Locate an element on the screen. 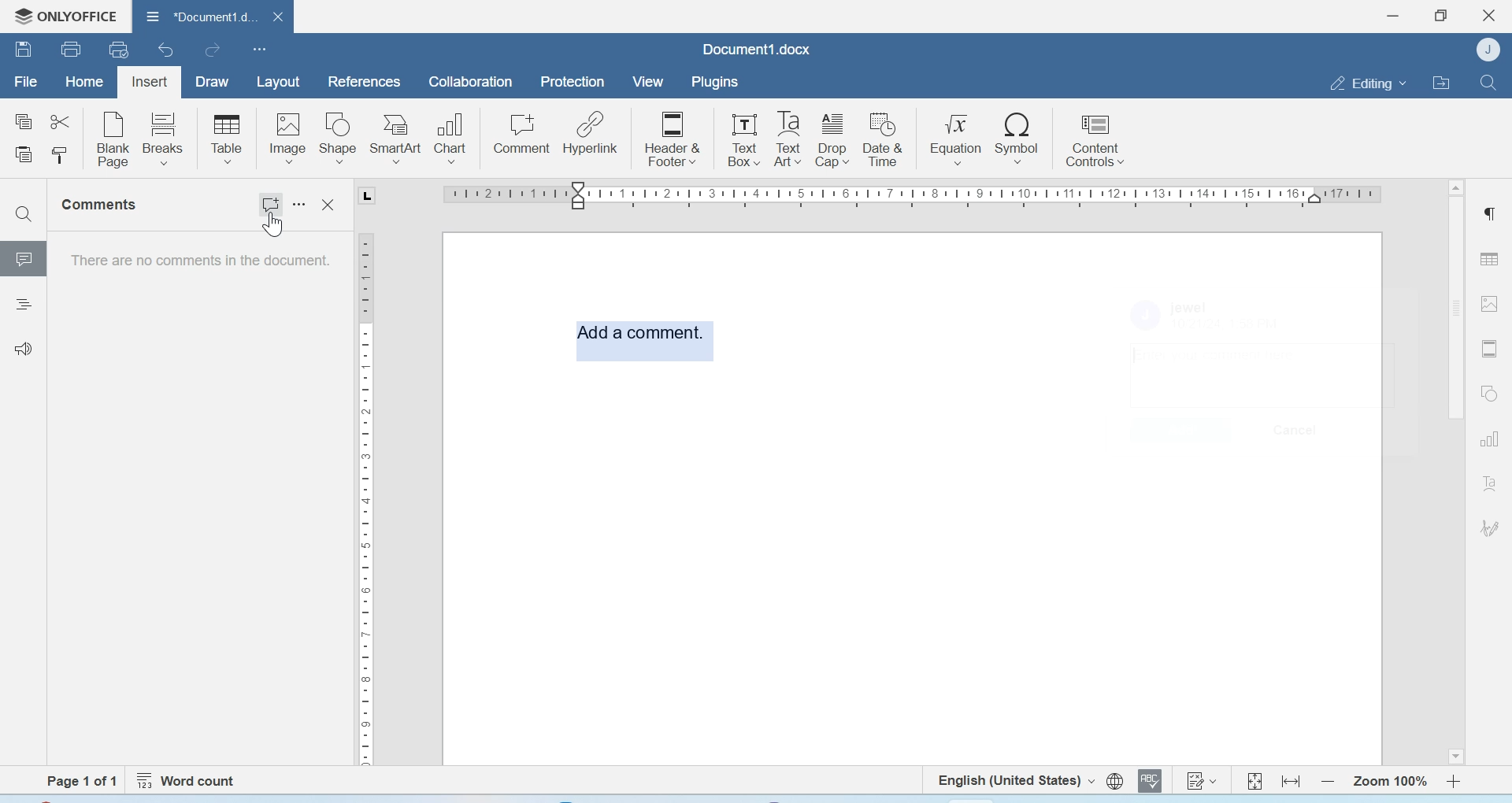  close is located at coordinates (278, 16).